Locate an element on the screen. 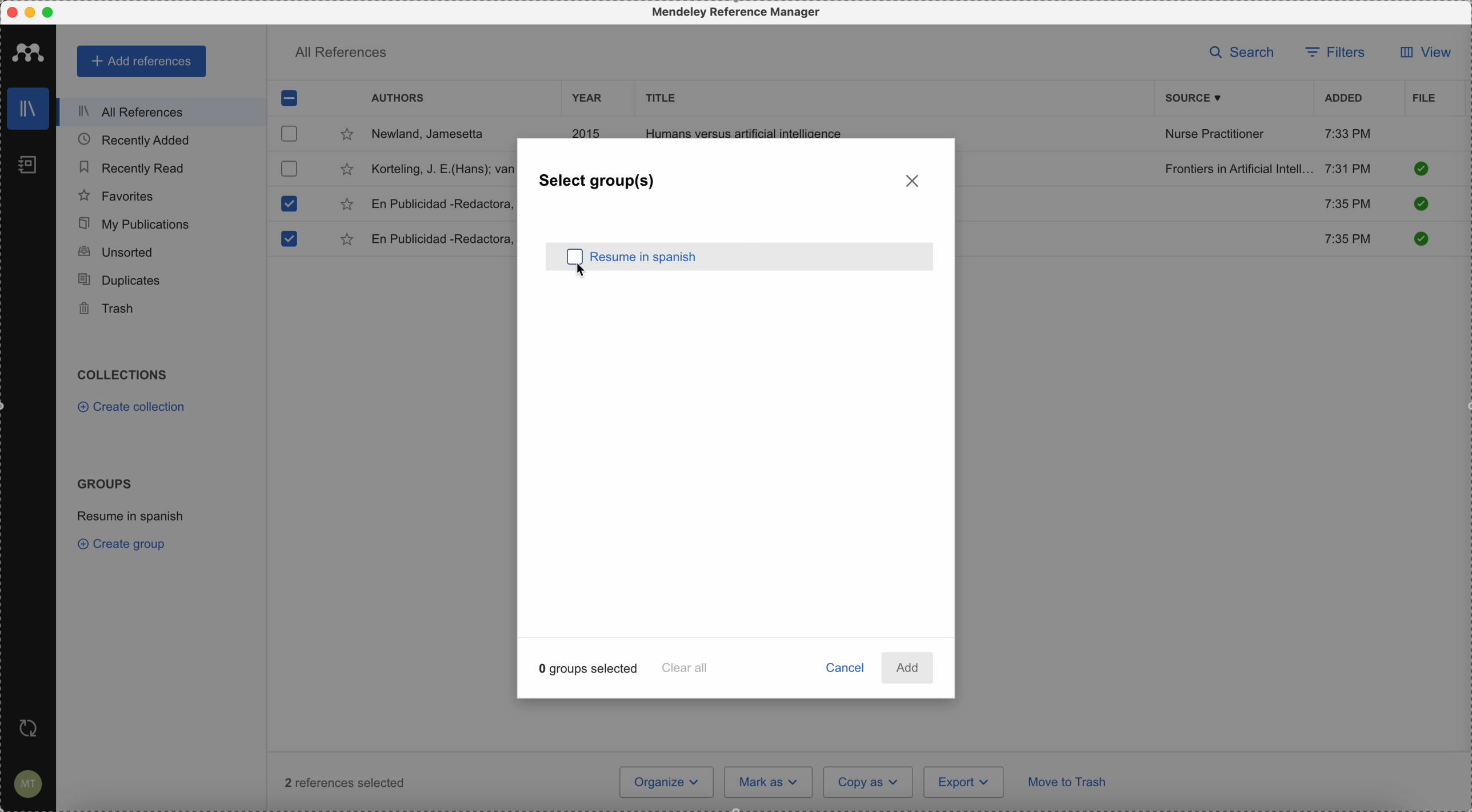 The width and height of the screenshot is (1472, 812). mark as is located at coordinates (769, 782).